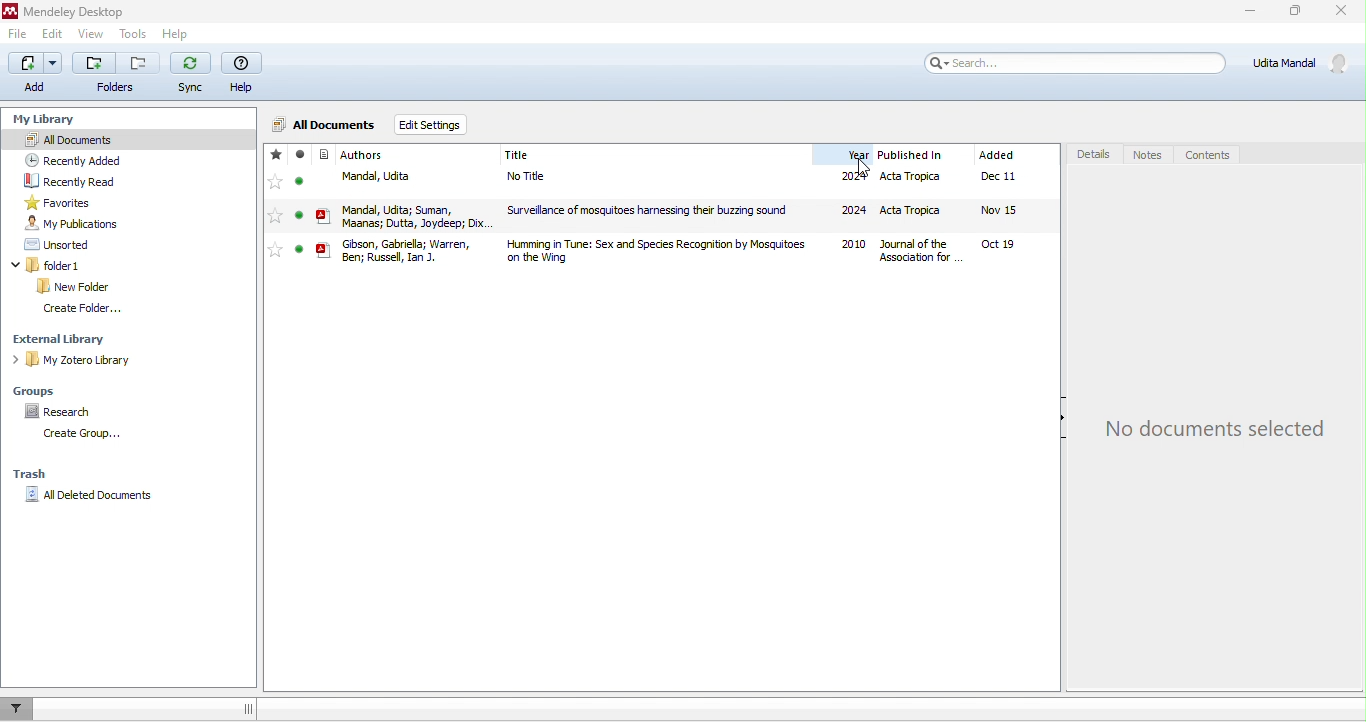 Image resolution: width=1366 pixels, height=722 pixels. What do you see at coordinates (1292, 17) in the screenshot?
I see `maximize` at bounding box center [1292, 17].